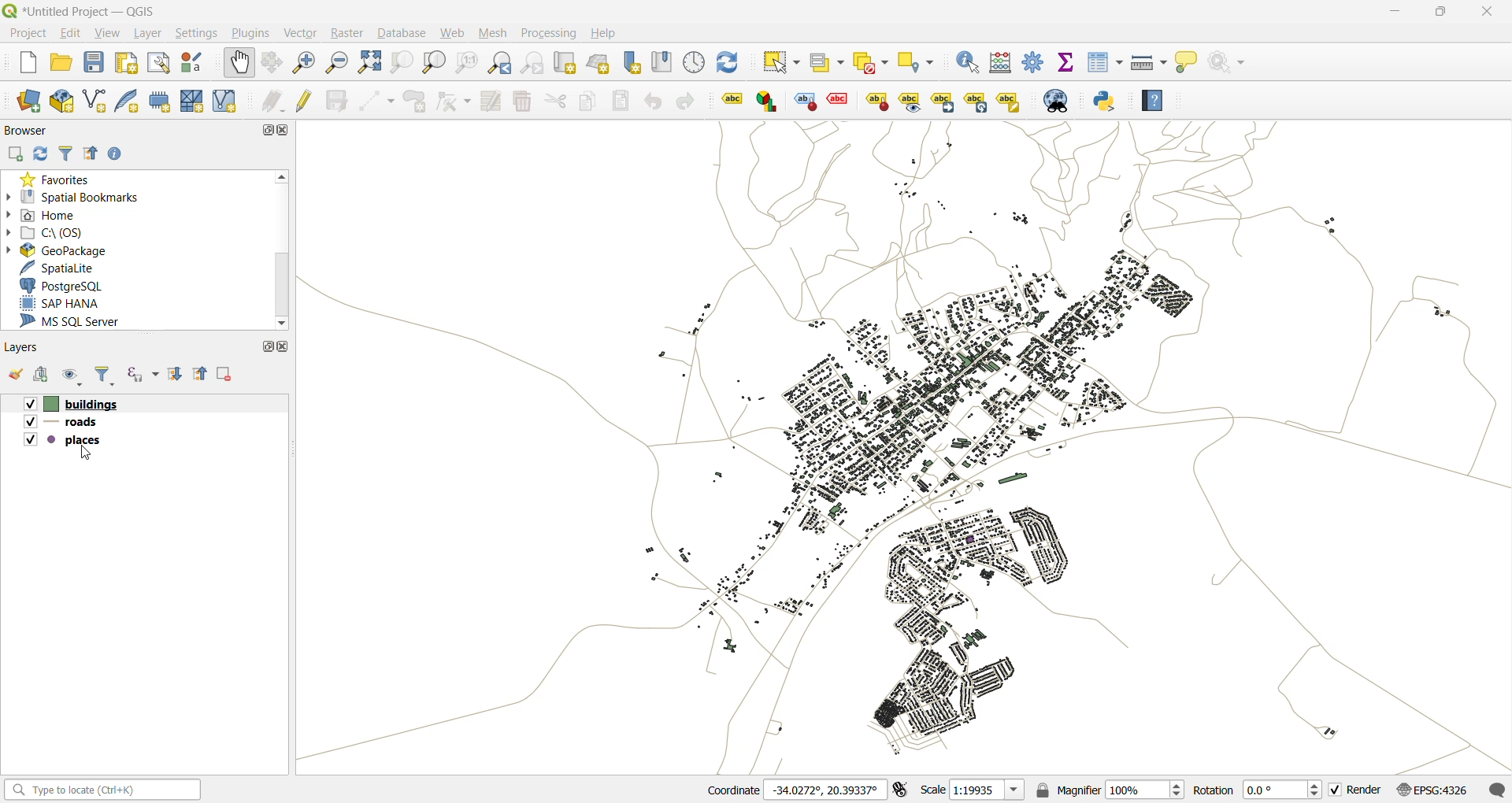 The image size is (1512, 803). I want to click on save edits, so click(339, 101).